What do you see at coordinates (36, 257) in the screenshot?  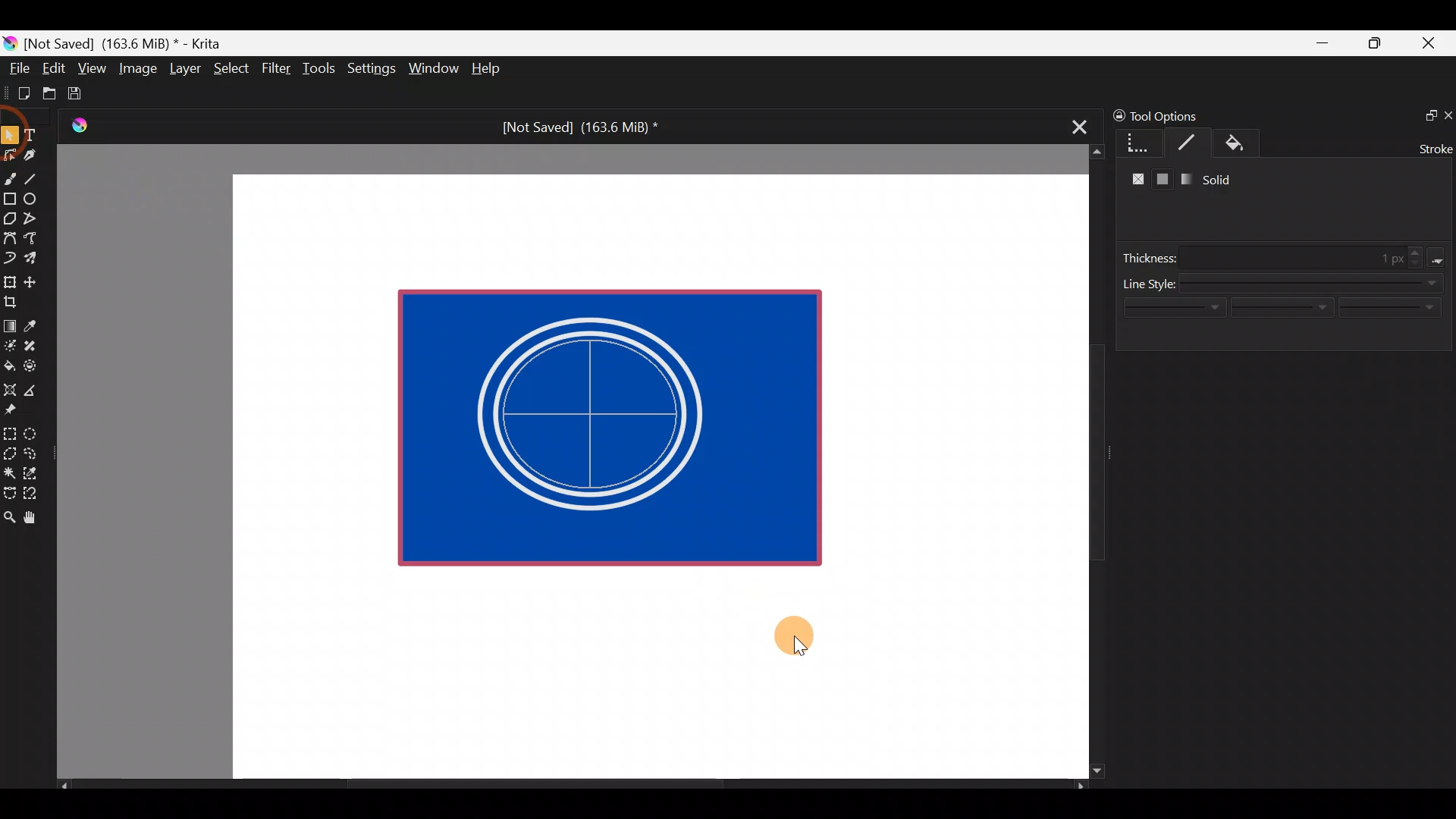 I see `Multibrush tool` at bounding box center [36, 257].